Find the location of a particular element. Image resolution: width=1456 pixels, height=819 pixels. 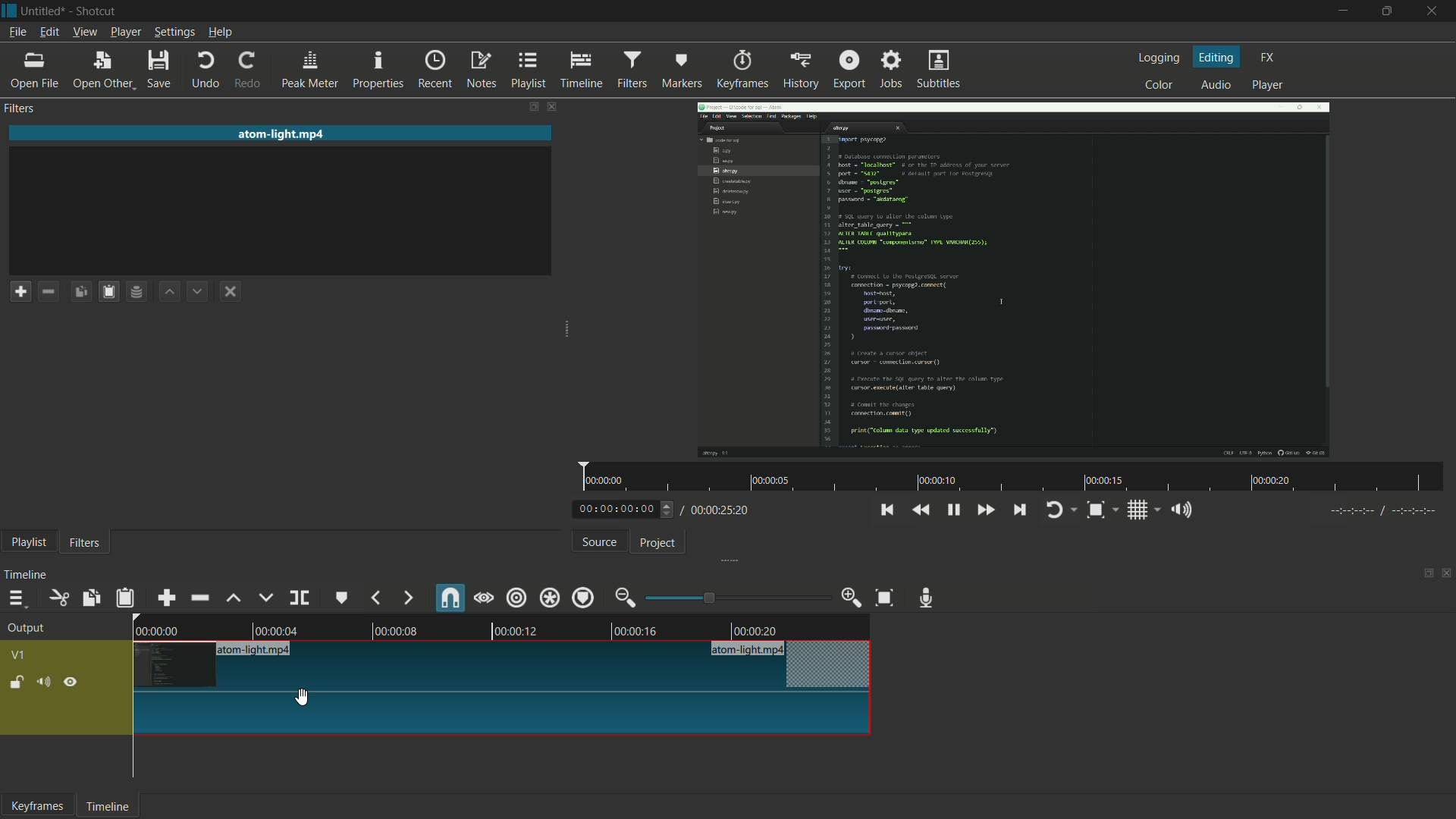

quickly play forward is located at coordinates (982, 510).